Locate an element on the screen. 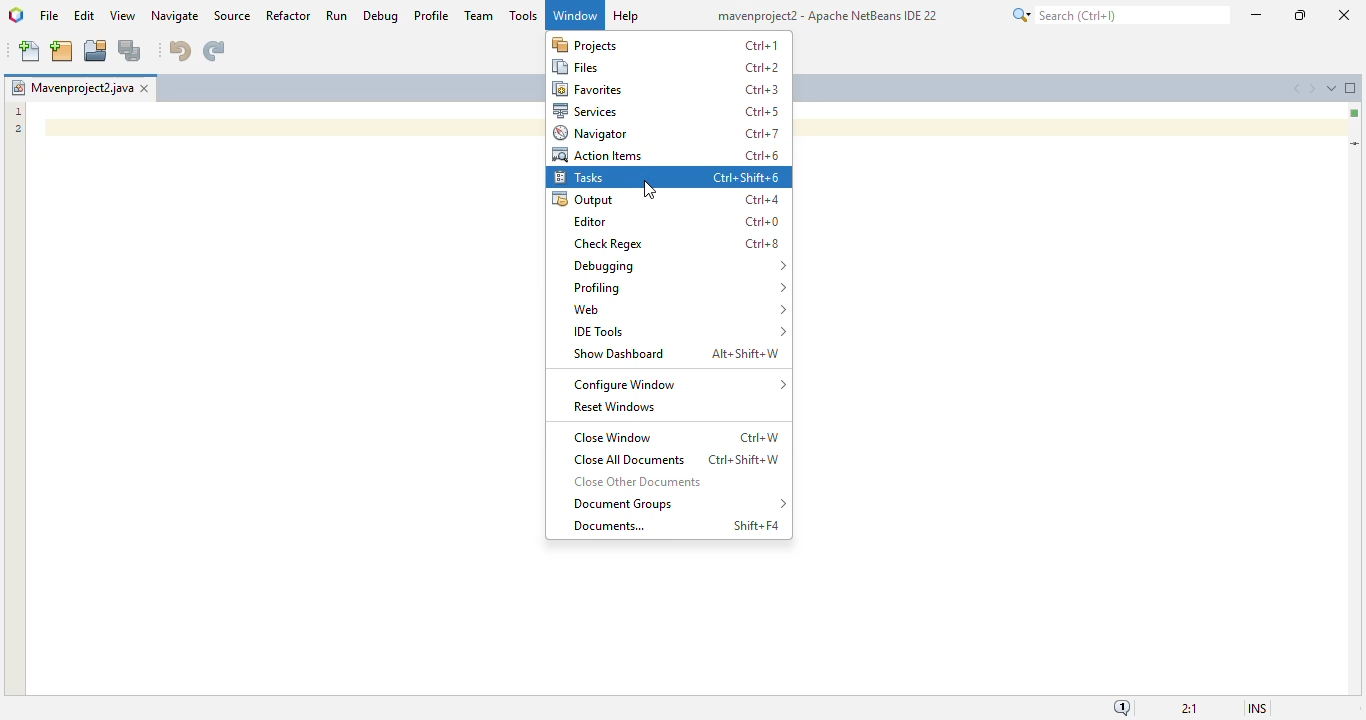 This screenshot has height=720, width=1366. magnification ratio is located at coordinates (1189, 707).